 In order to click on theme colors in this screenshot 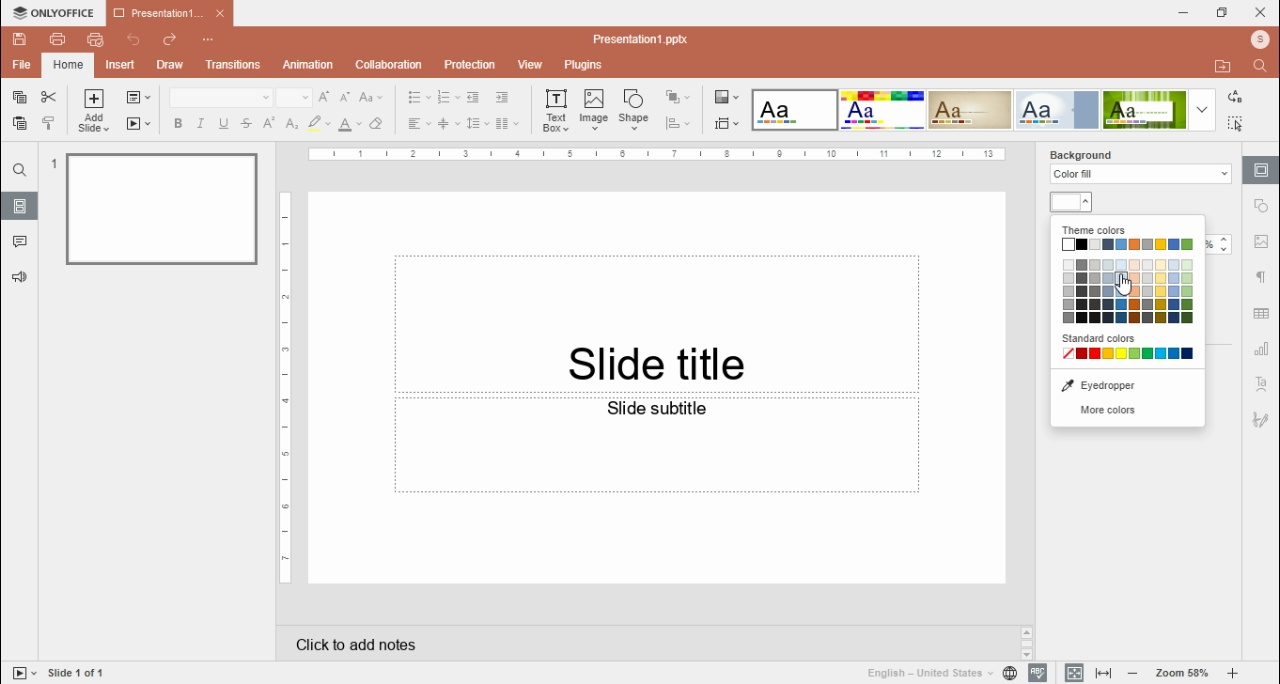, I will do `click(1092, 229)`.